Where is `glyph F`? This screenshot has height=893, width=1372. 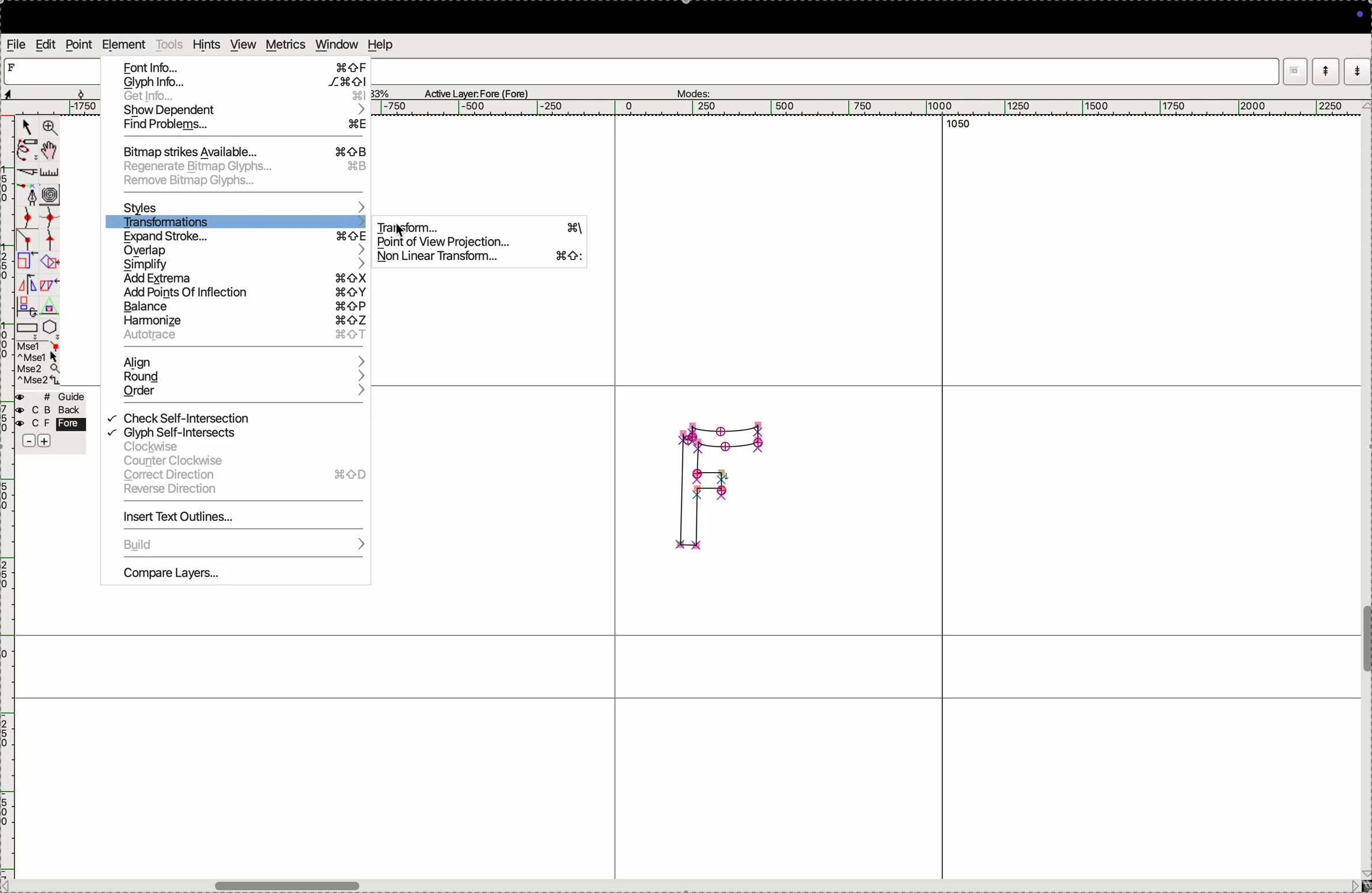 glyph F is located at coordinates (718, 485).